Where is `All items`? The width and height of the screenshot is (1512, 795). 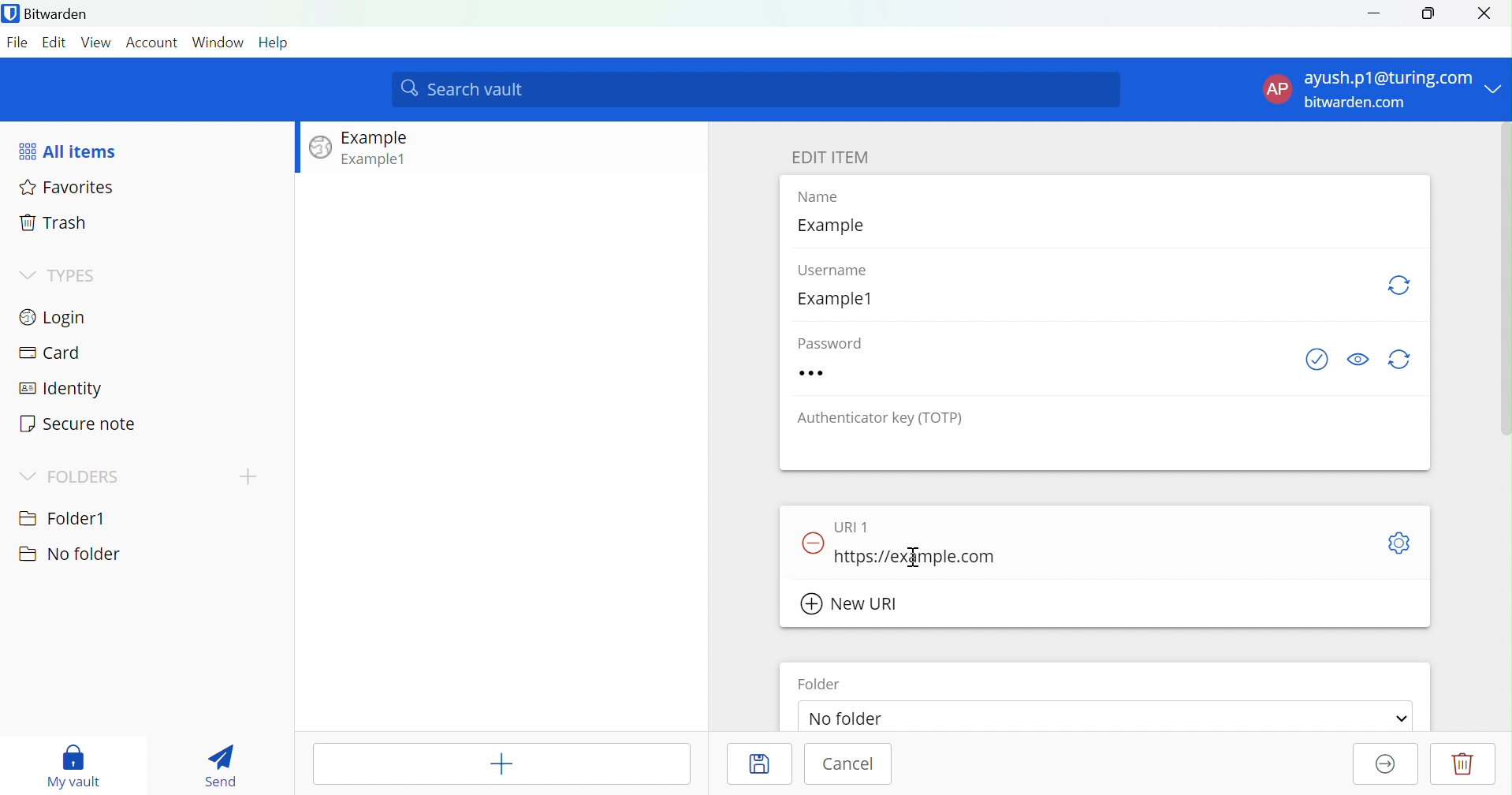
All items is located at coordinates (70, 151).